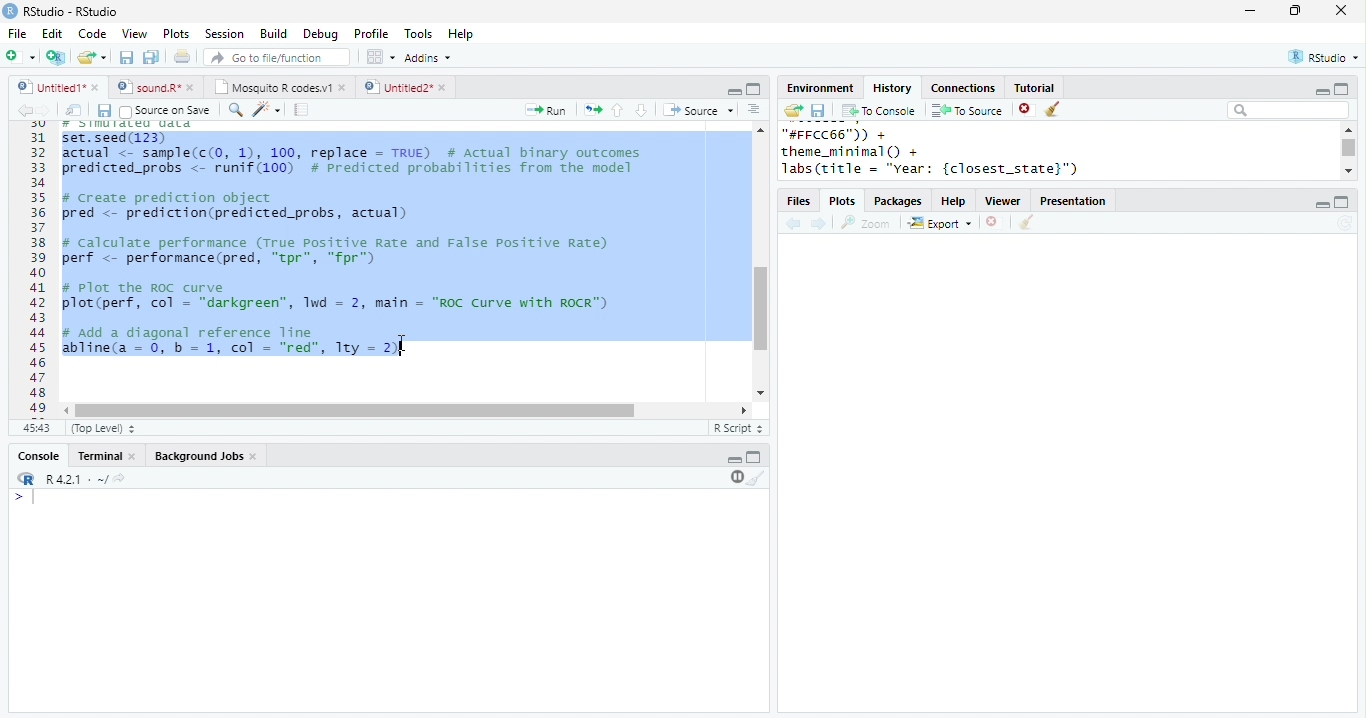 This screenshot has height=718, width=1366. I want to click on RStudio, so click(1326, 56).